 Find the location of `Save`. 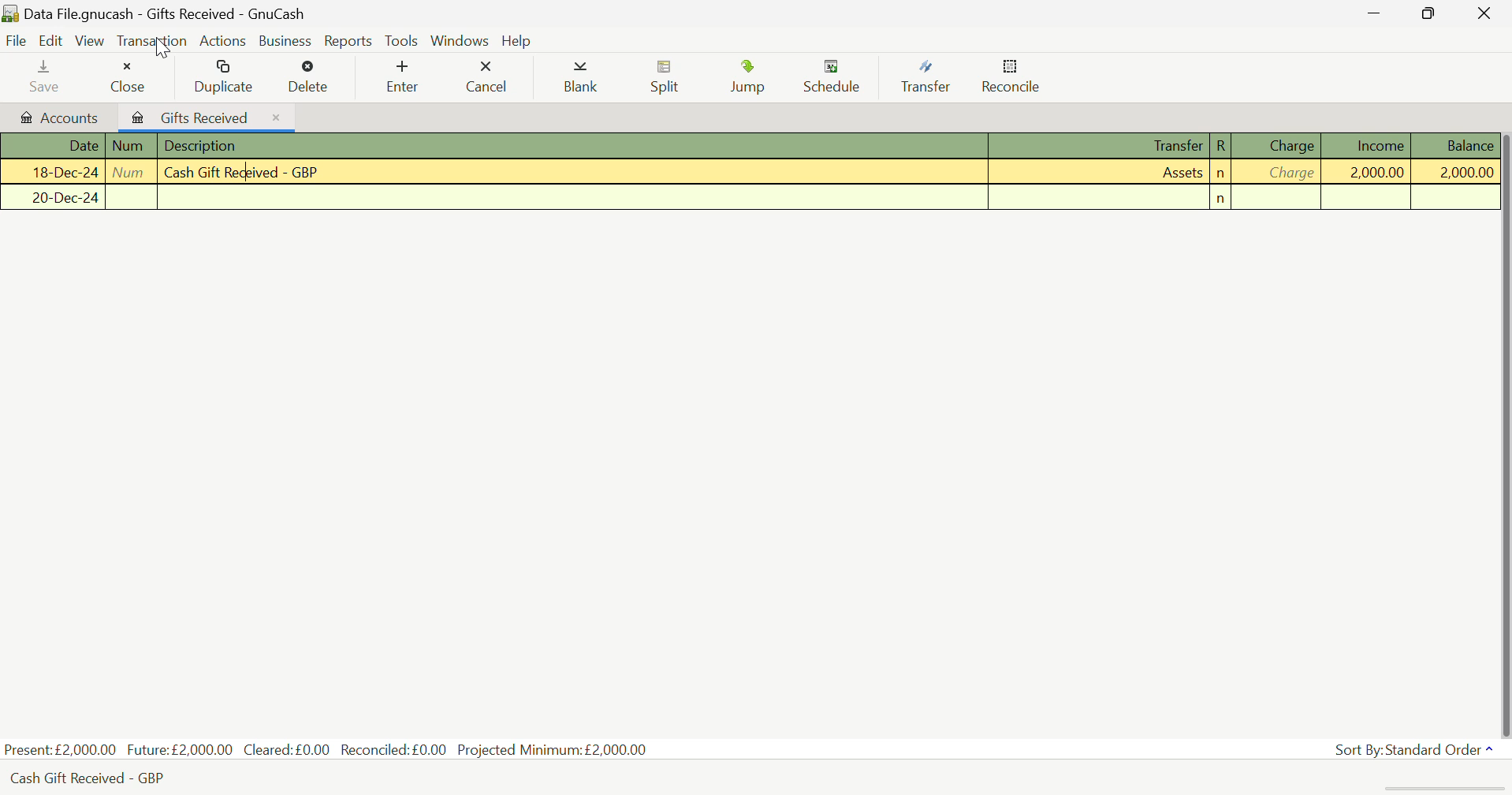

Save is located at coordinates (46, 75).